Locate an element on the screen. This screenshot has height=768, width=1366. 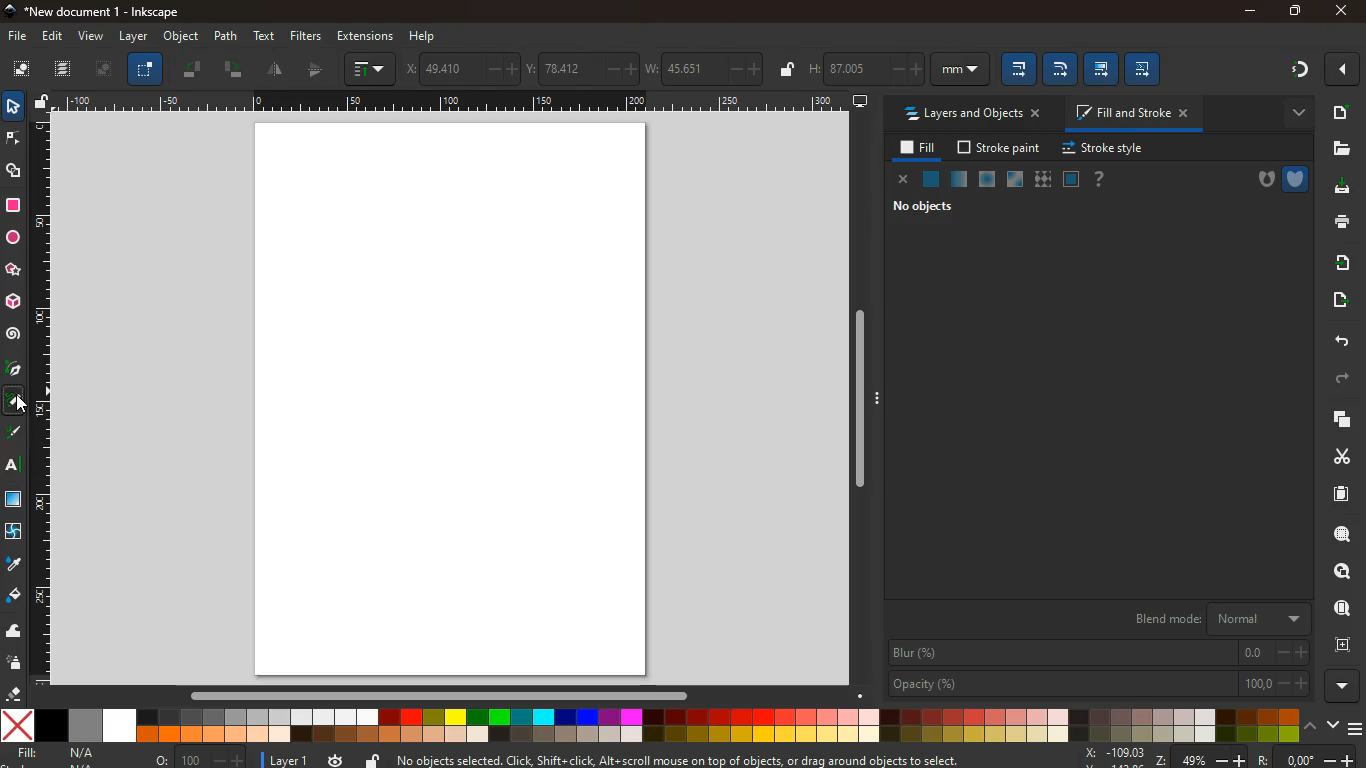
coordinates is located at coordinates (583, 68).